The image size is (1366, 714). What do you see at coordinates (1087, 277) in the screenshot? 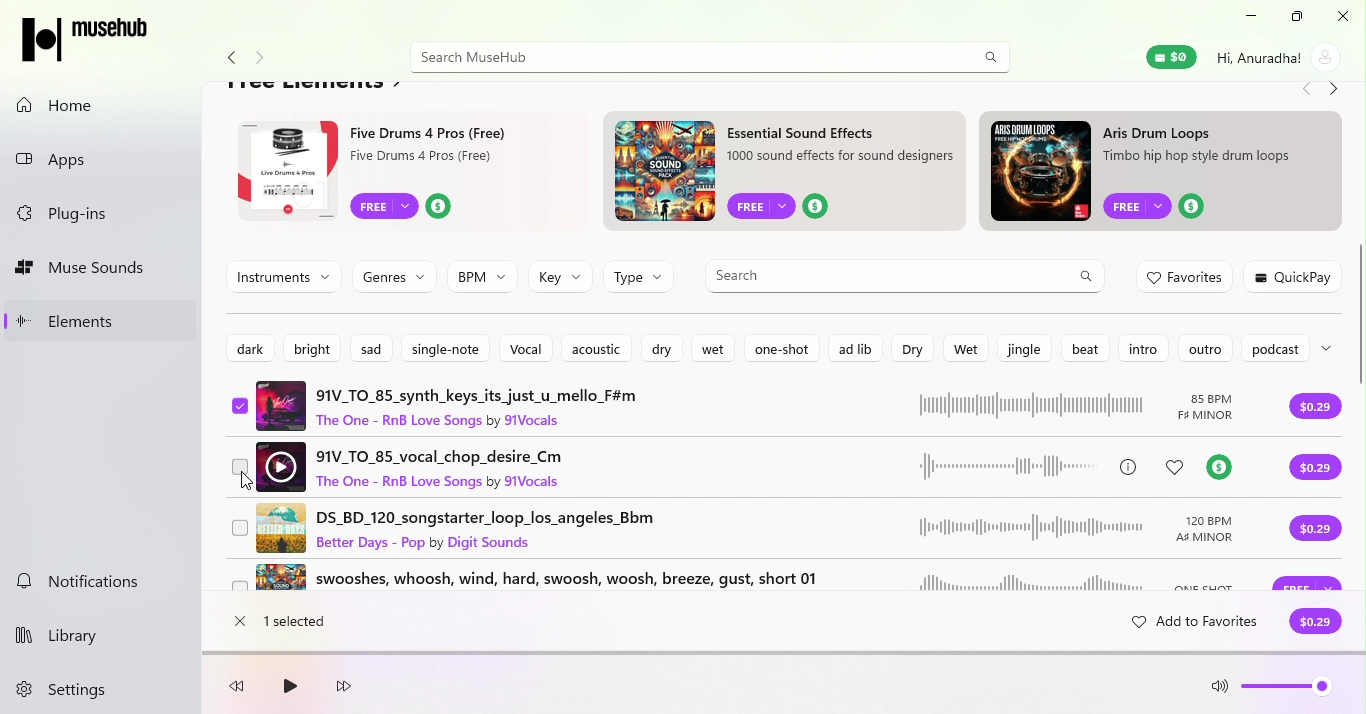
I see `Search` at bounding box center [1087, 277].